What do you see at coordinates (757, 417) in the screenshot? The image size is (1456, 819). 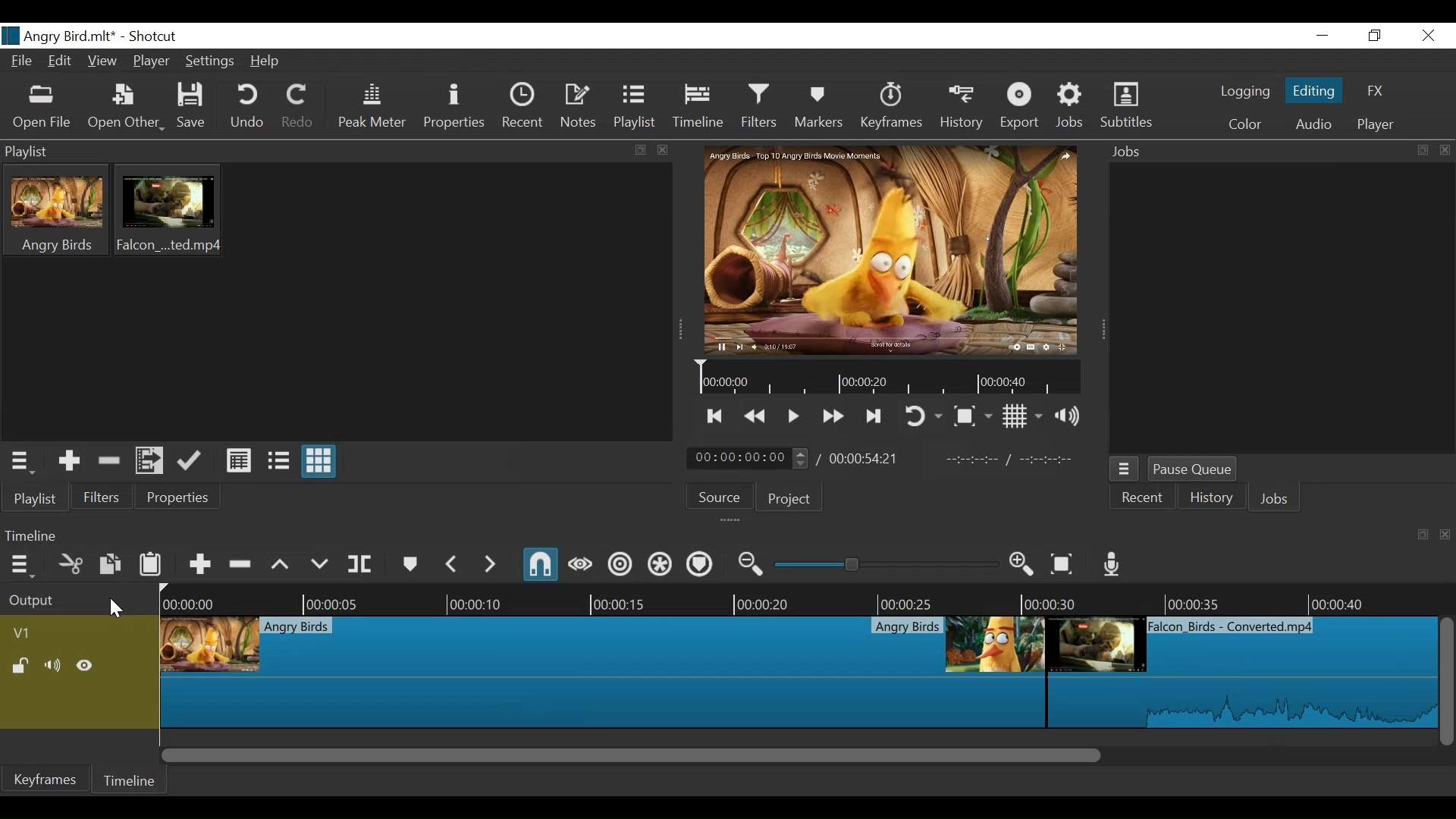 I see `Play backward quickly` at bounding box center [757, 417].